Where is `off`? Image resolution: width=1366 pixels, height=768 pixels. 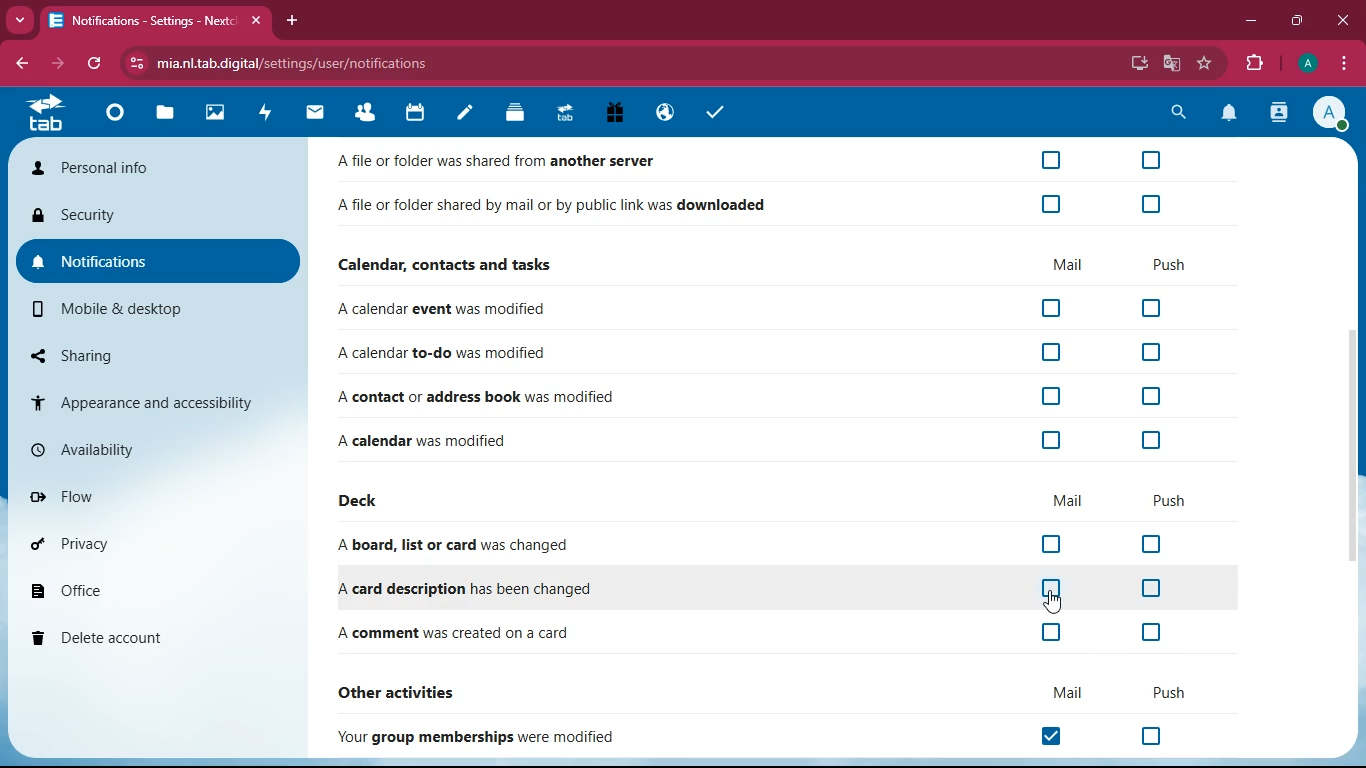
off is located at coordinates (1149, 634).